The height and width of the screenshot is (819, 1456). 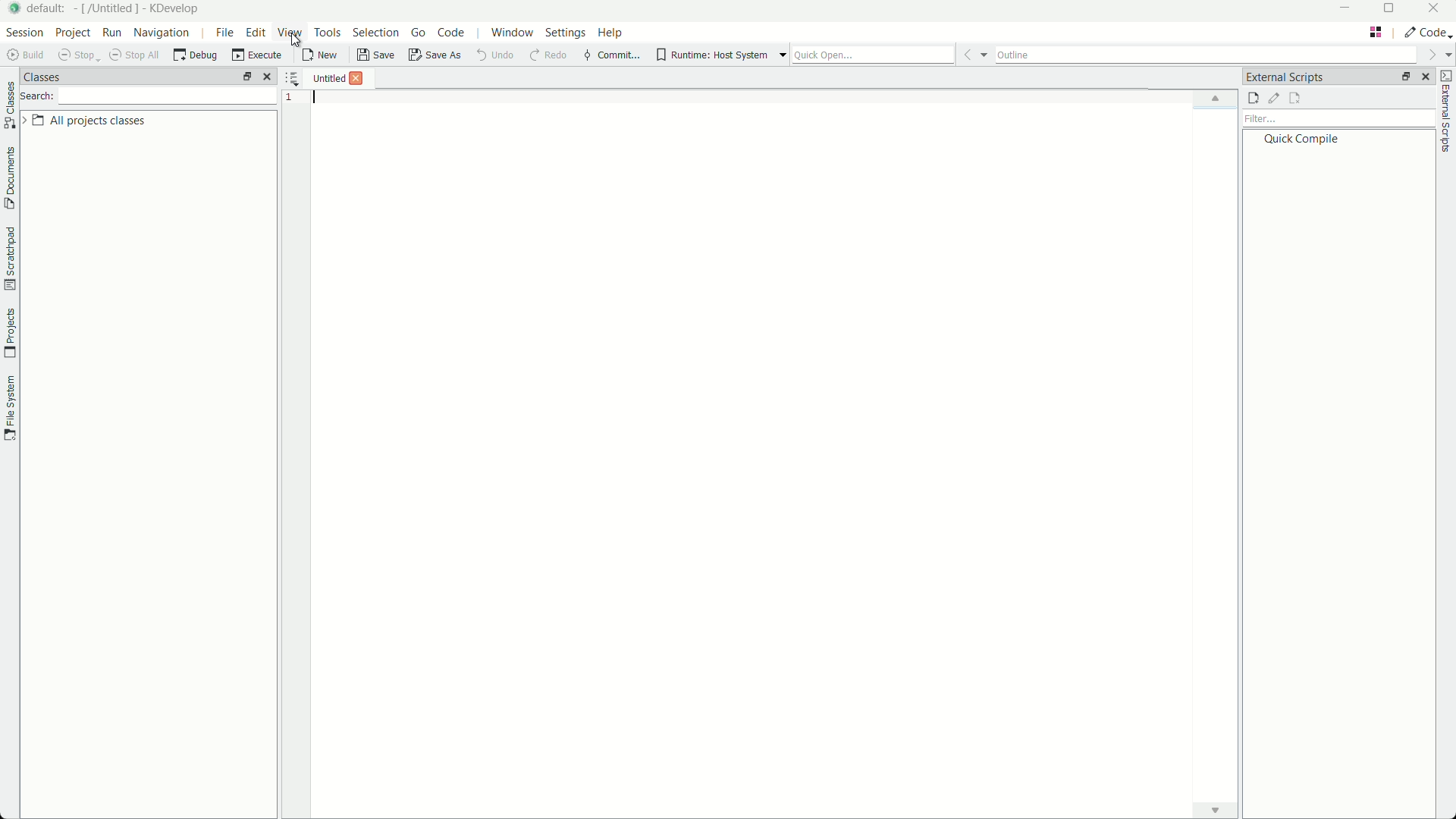 What do you see at coordinates (123, 74) in the screenshot?
I see `classes` at bounding box center [123, 74].